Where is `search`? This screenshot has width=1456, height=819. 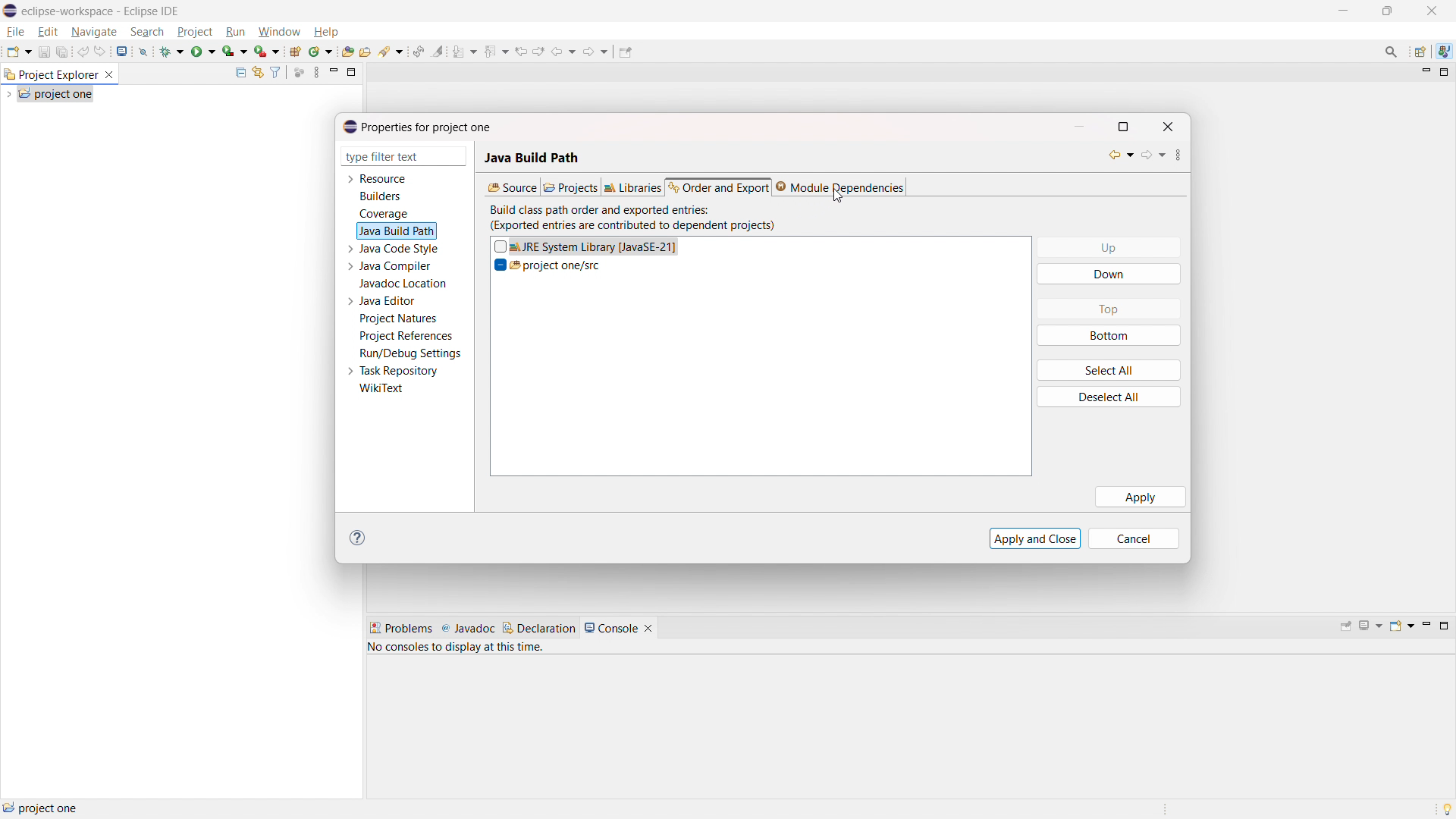 search is located at coordinates (148, 31).